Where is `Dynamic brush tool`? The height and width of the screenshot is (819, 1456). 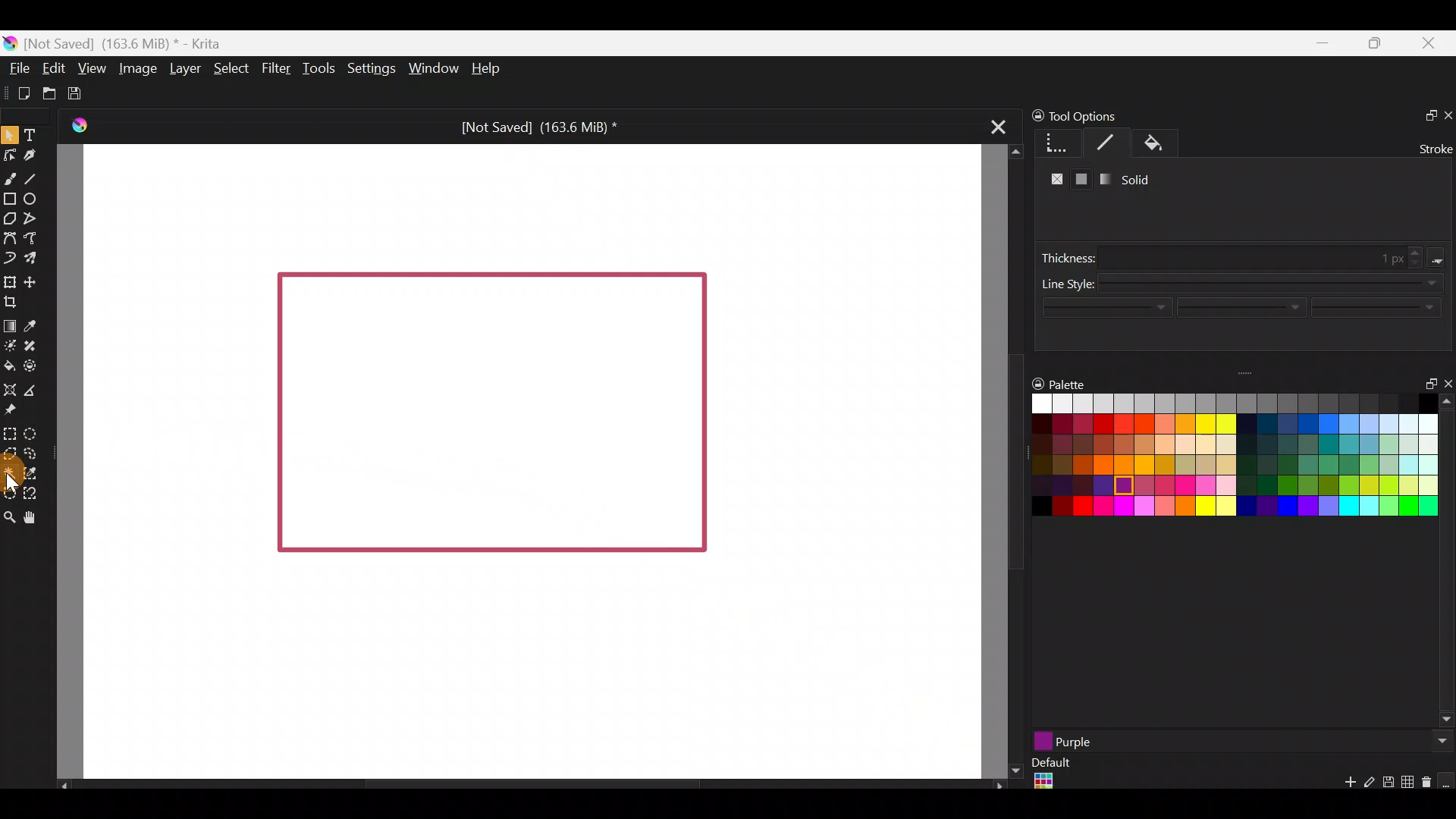
Dynamic brush tool is located at coordinates (9, 257).